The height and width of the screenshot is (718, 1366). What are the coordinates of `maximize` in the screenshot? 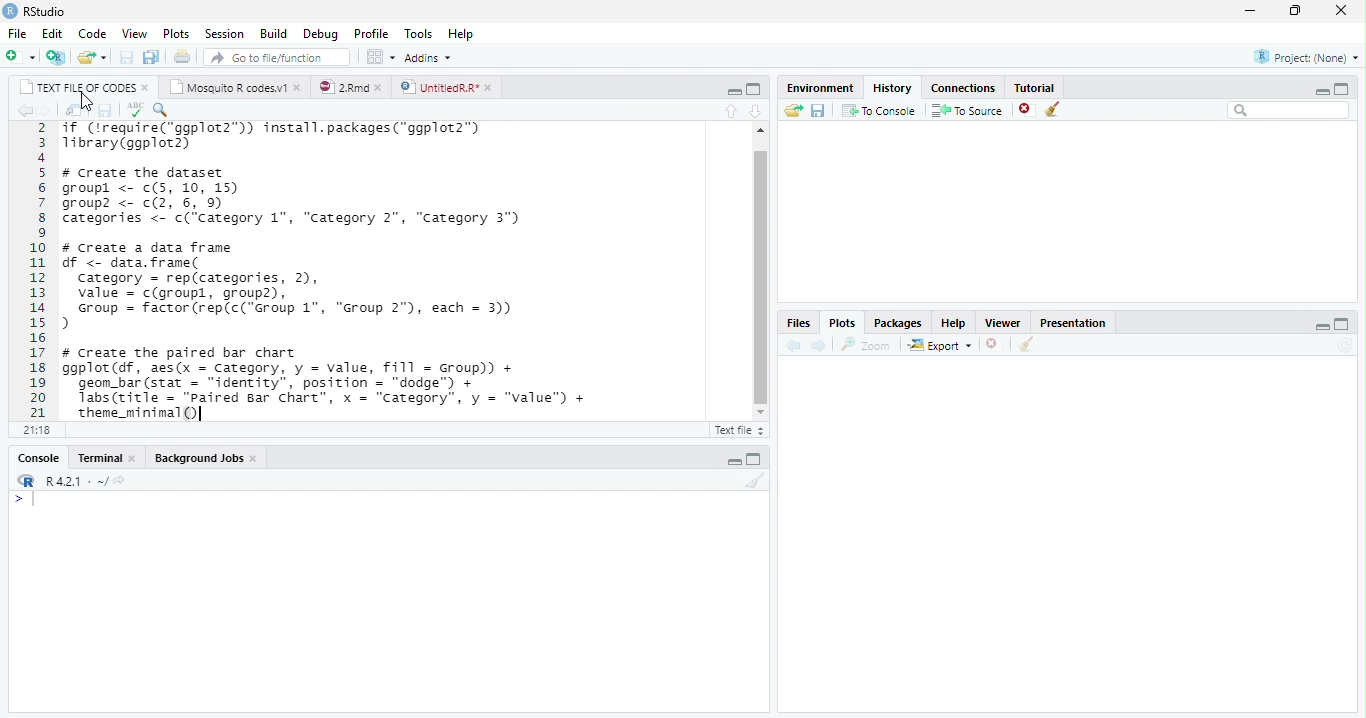 It's located at (758, 90).